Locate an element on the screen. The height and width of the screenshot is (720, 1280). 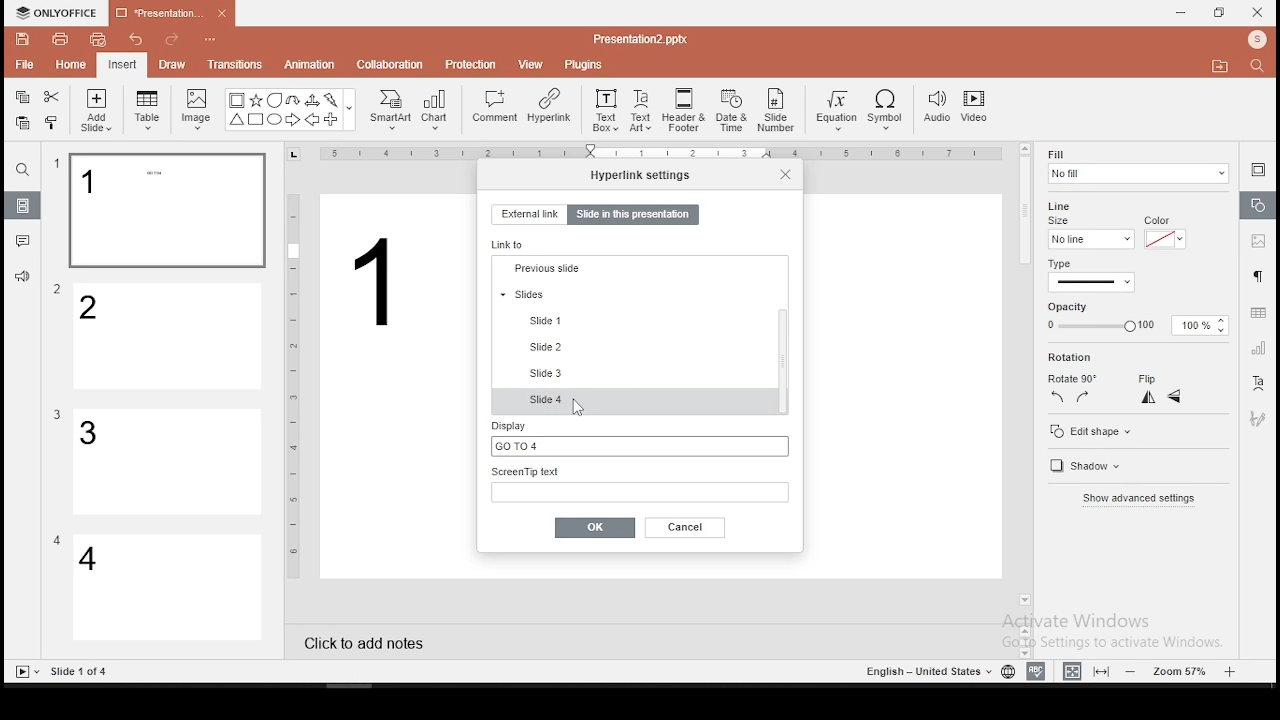
paragraph settings is located at coordinates (1256, 274).